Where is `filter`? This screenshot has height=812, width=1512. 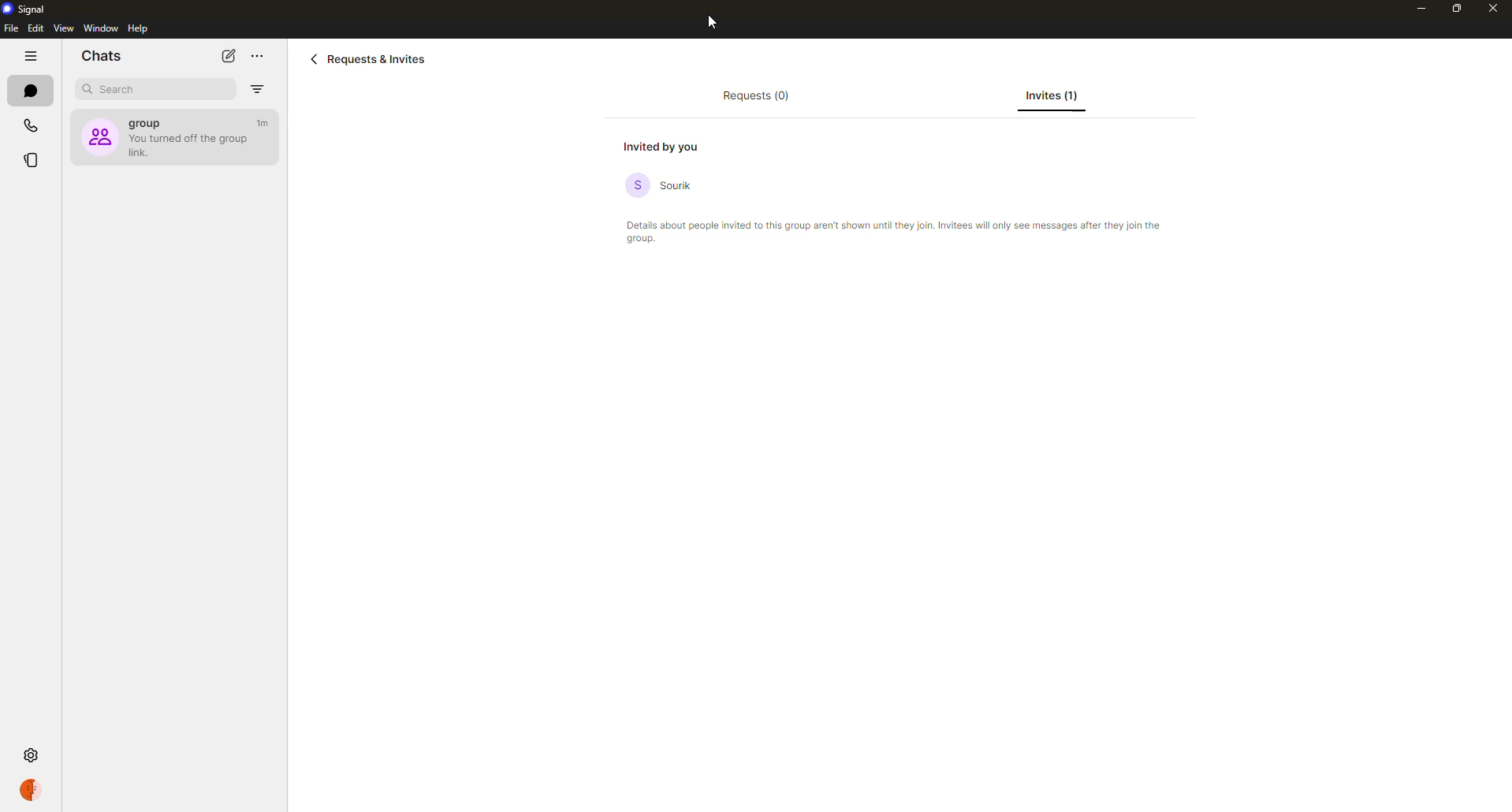 filter is located at coordinates (258, 89).